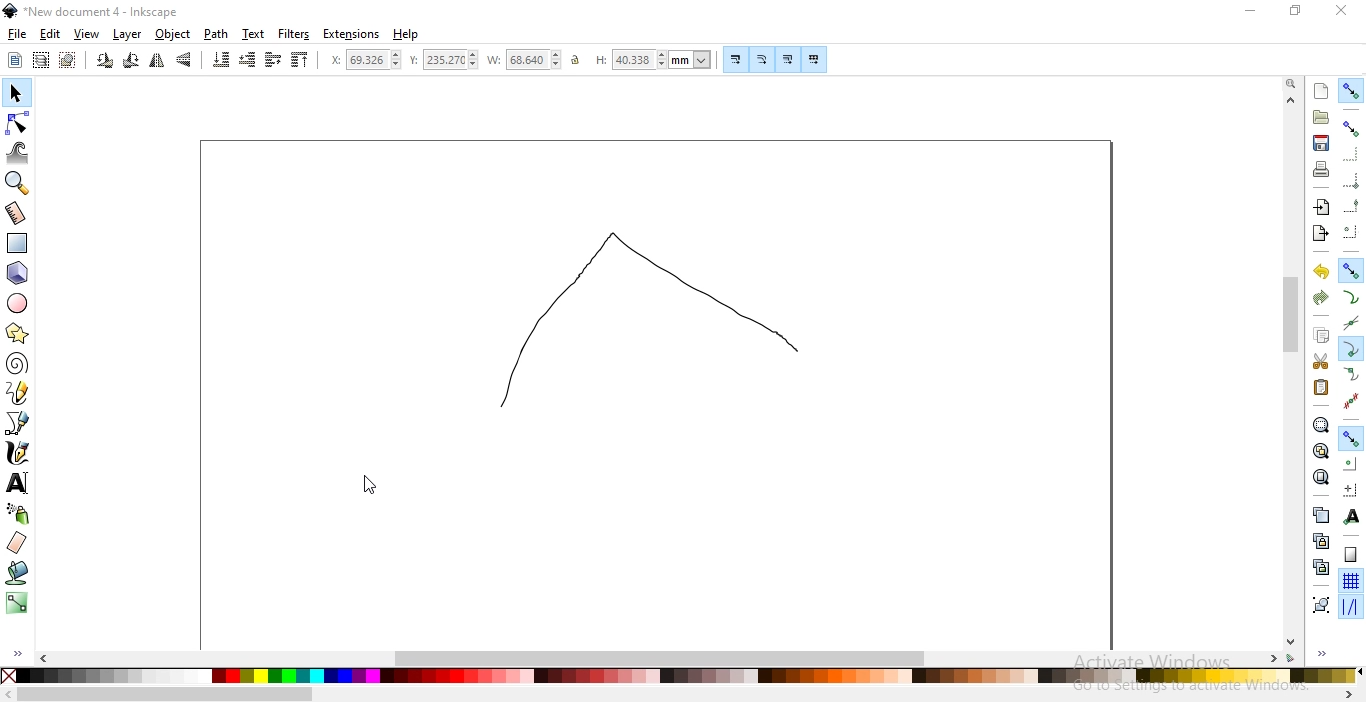  I want to click on lower selection to bottom, so click(220, 59).